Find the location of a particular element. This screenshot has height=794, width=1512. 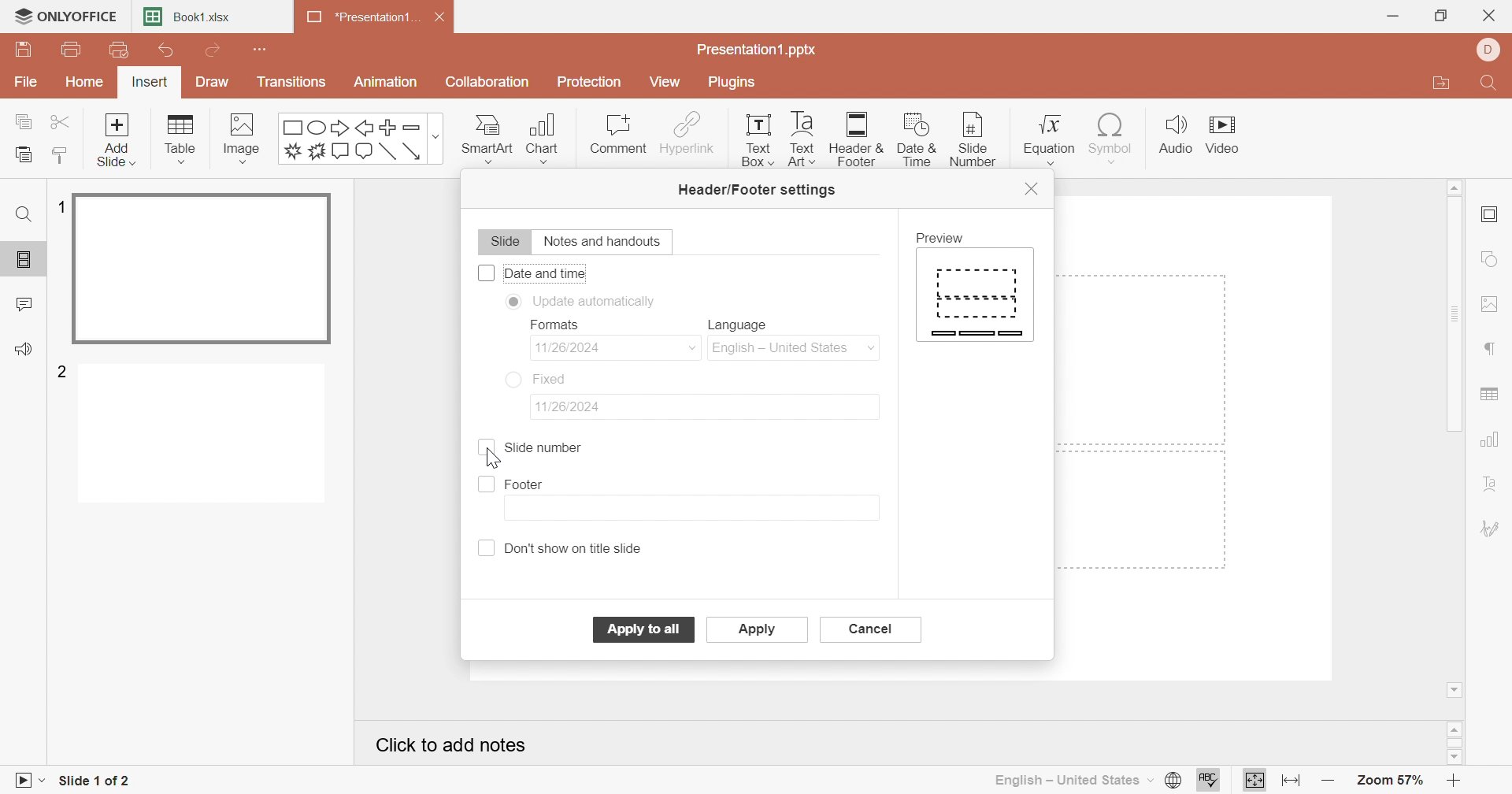

Slide settings is located at coordinates (1493, 216).